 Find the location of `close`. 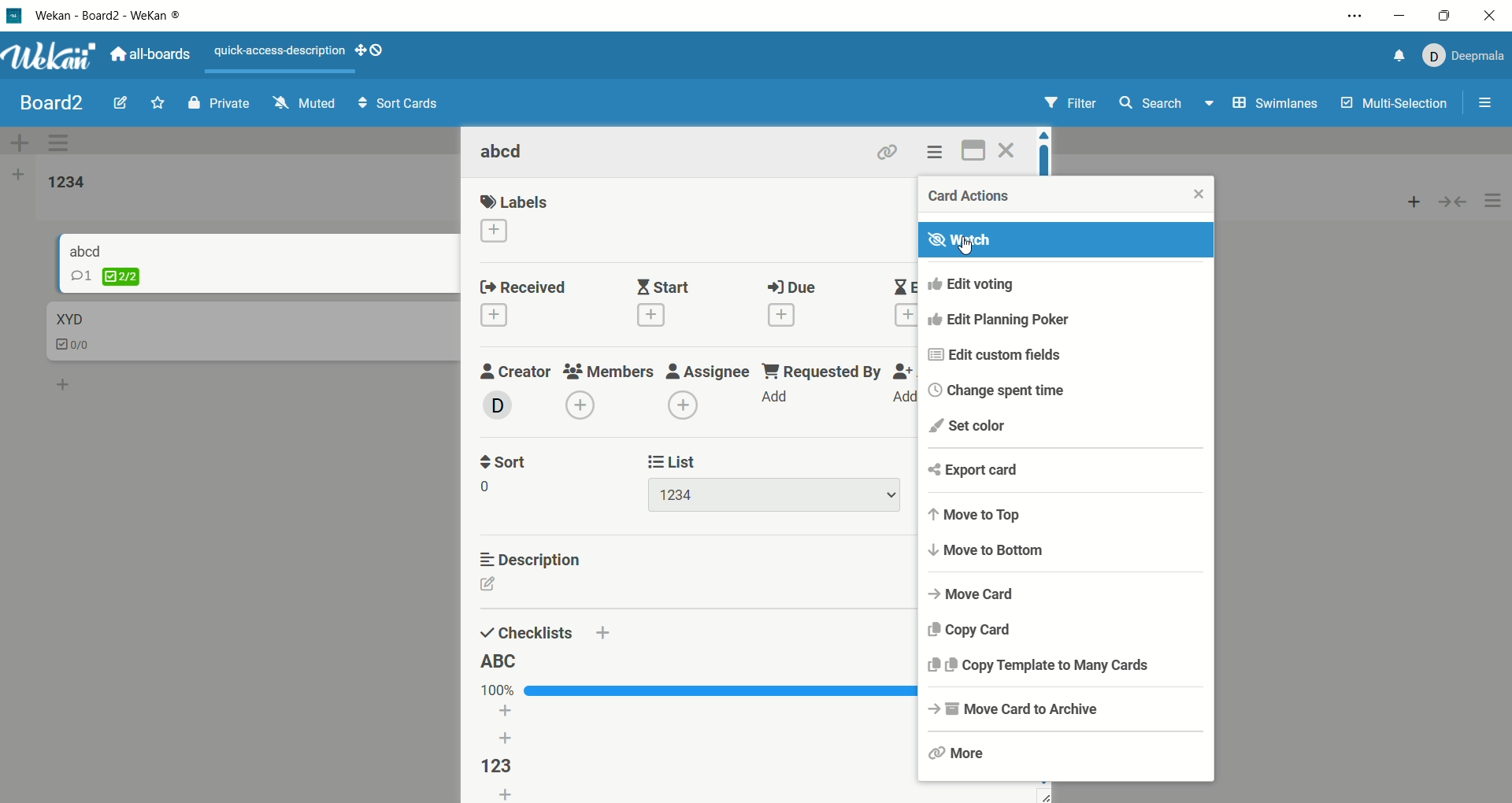

close is located at coordinates (1488, 15).